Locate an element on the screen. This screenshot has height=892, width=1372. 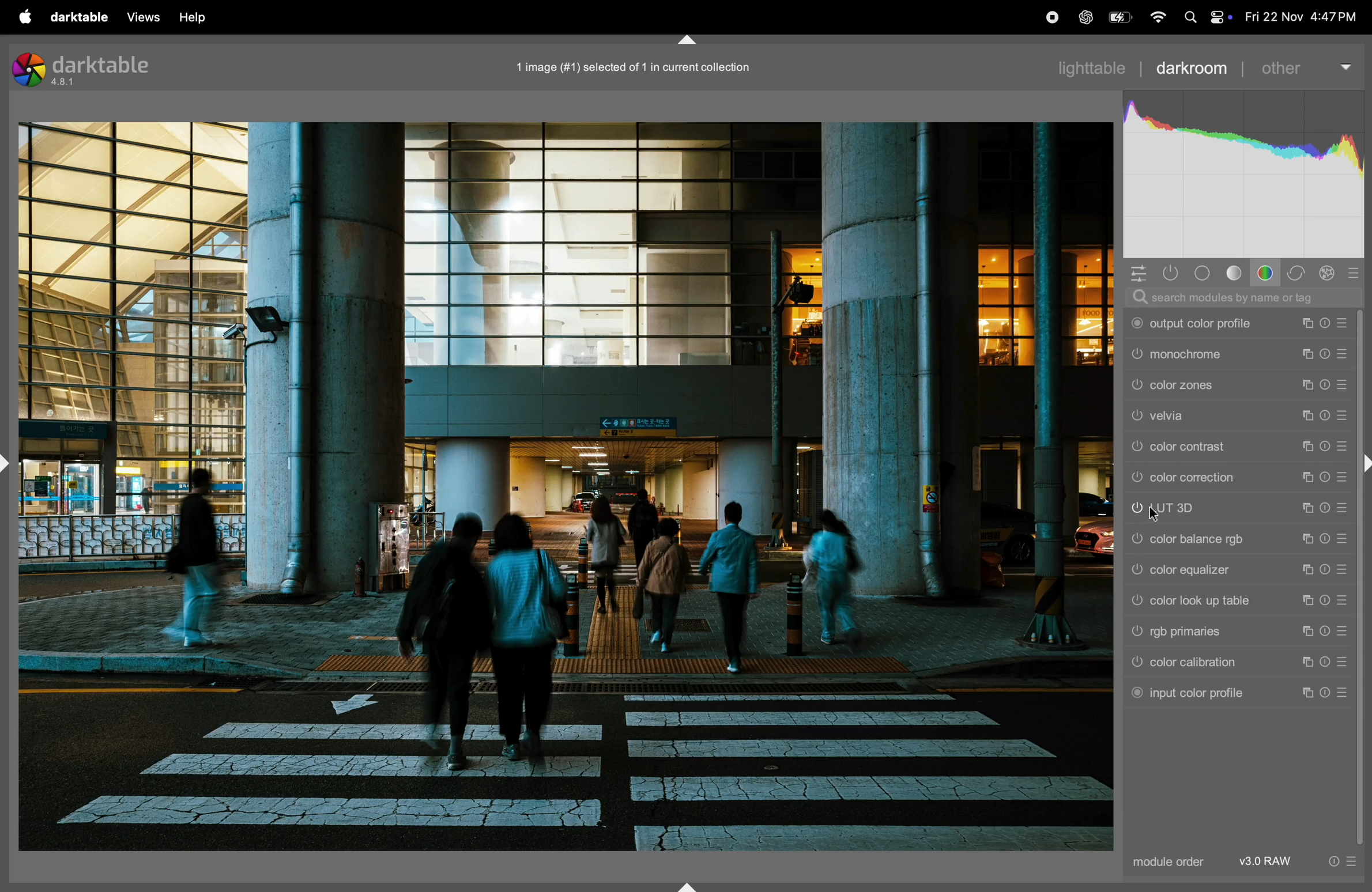
base is located at coordinates (1205, 274).